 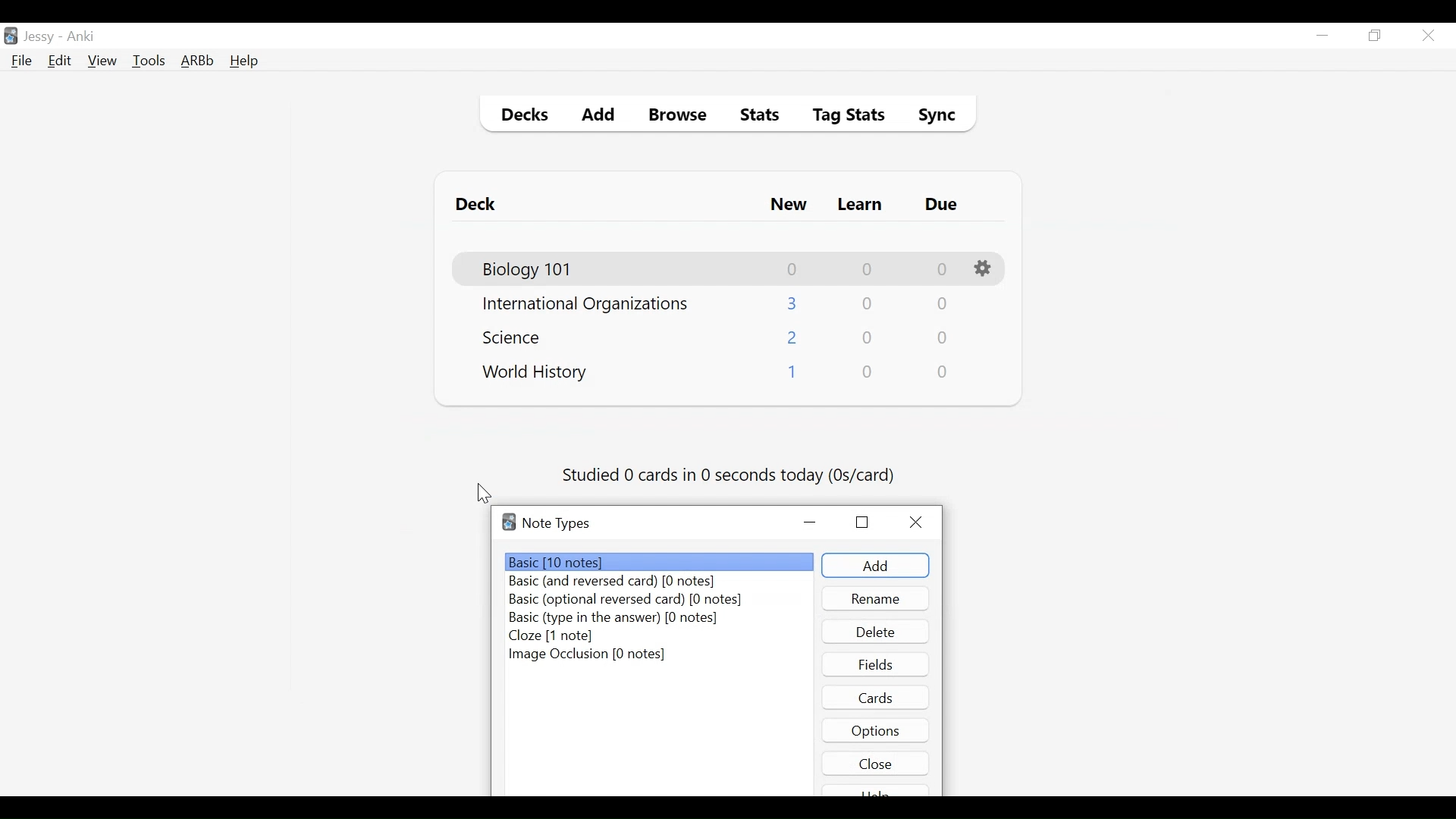 I want to click on Basic (and reversed card)  (number of notes), so click(x=620, y=582).